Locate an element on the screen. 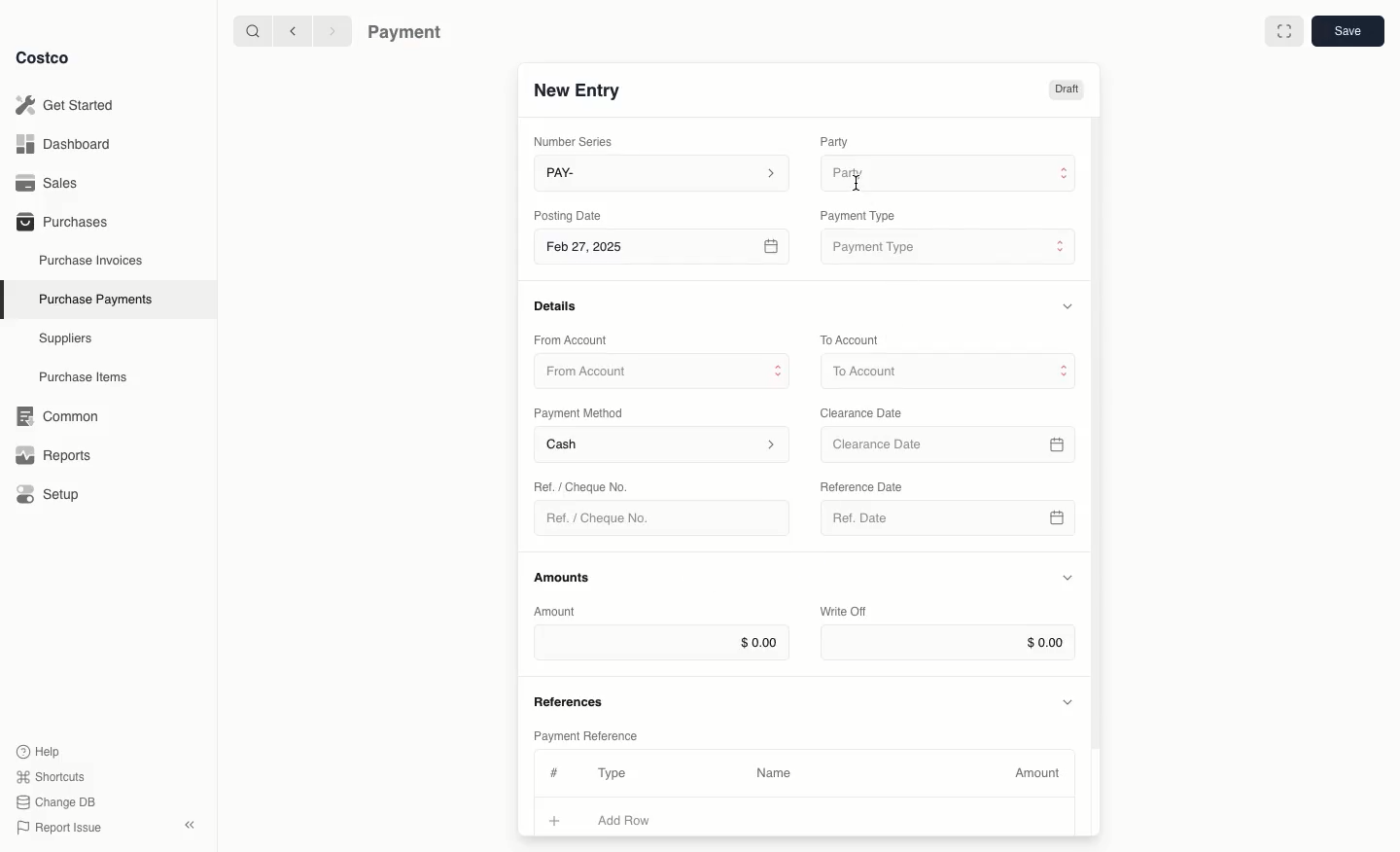  References is located at coordinates (572, 699).